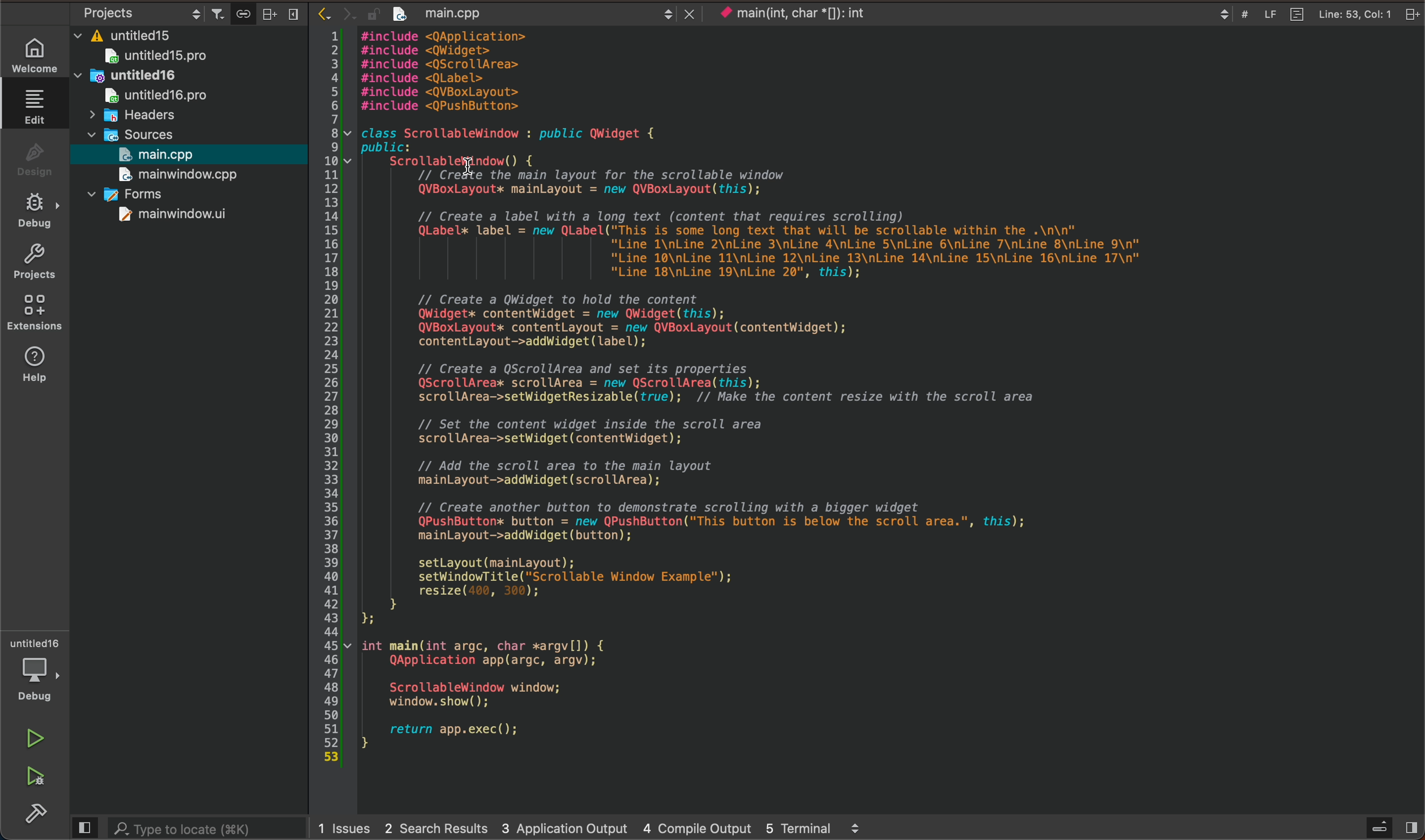 The width and height of the screenshot is (1425, 840). Describe the element at coordinates (33, 670) in the screenshot. I see `debugger` at that location.